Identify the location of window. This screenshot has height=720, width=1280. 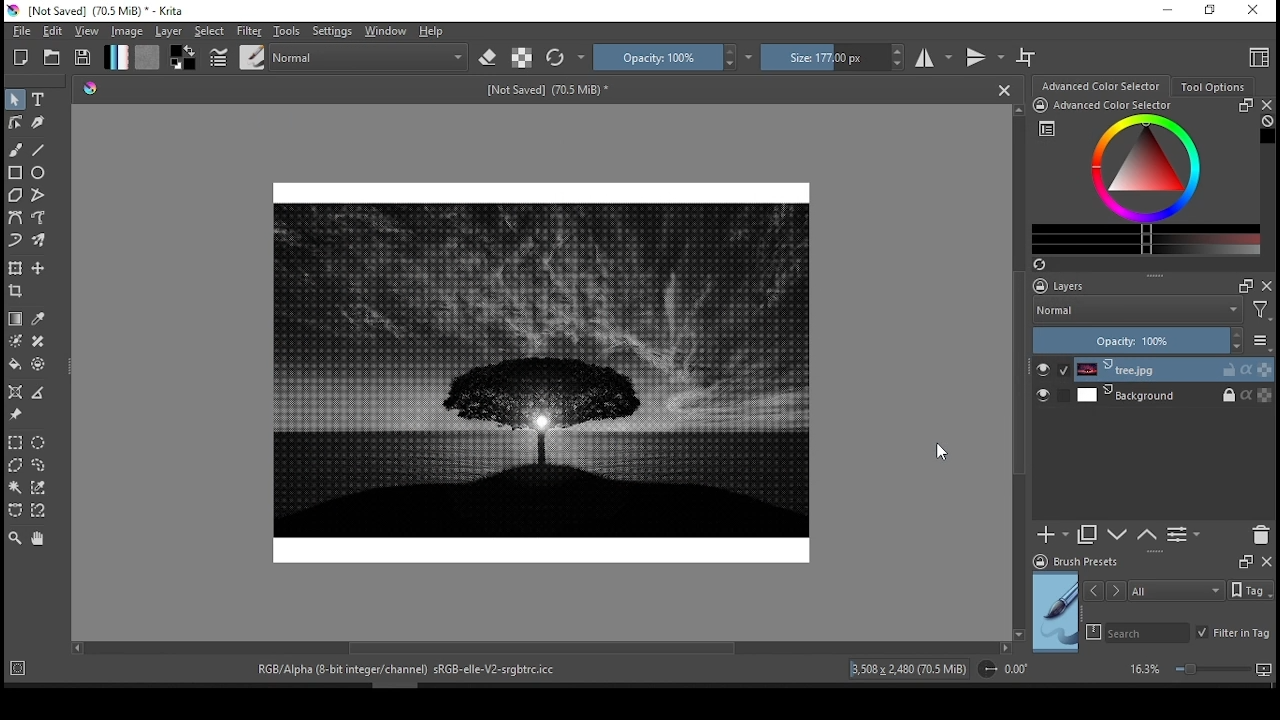
(386, 31).